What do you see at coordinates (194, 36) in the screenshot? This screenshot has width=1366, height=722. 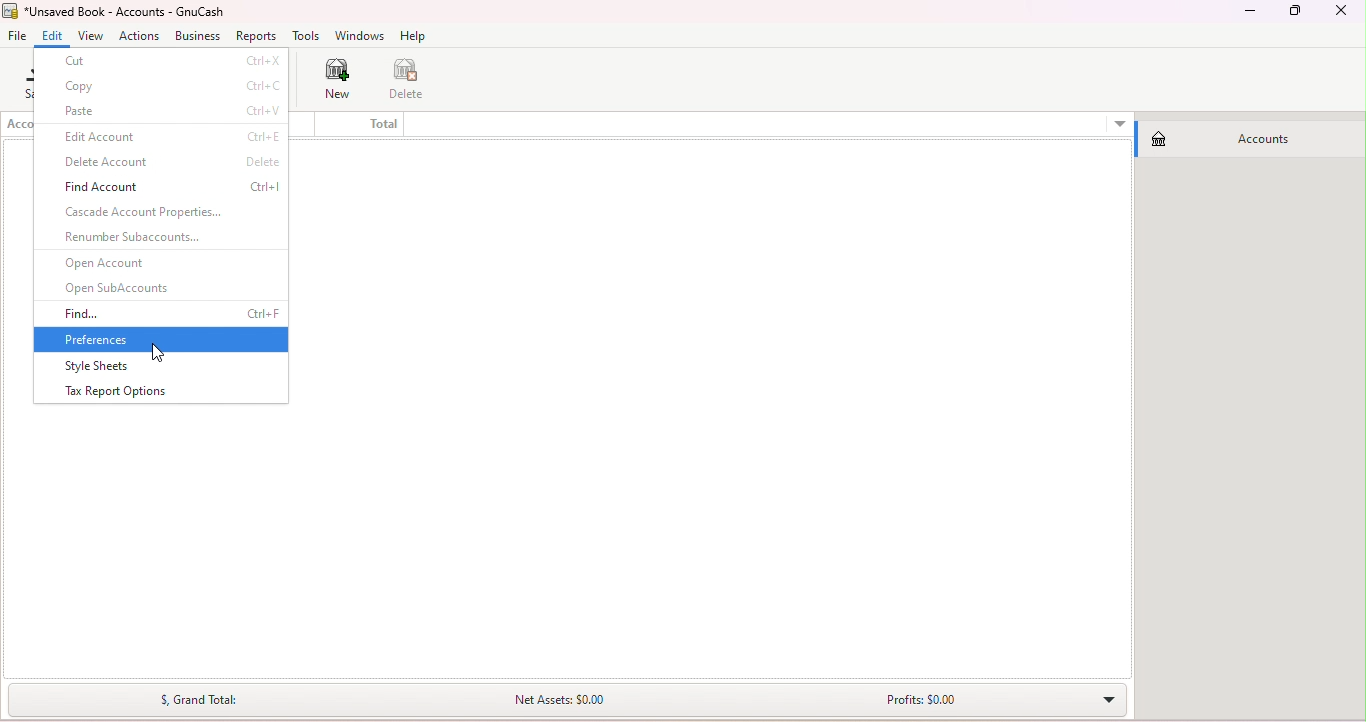 I see `Business` at bounding box center [194, 36].